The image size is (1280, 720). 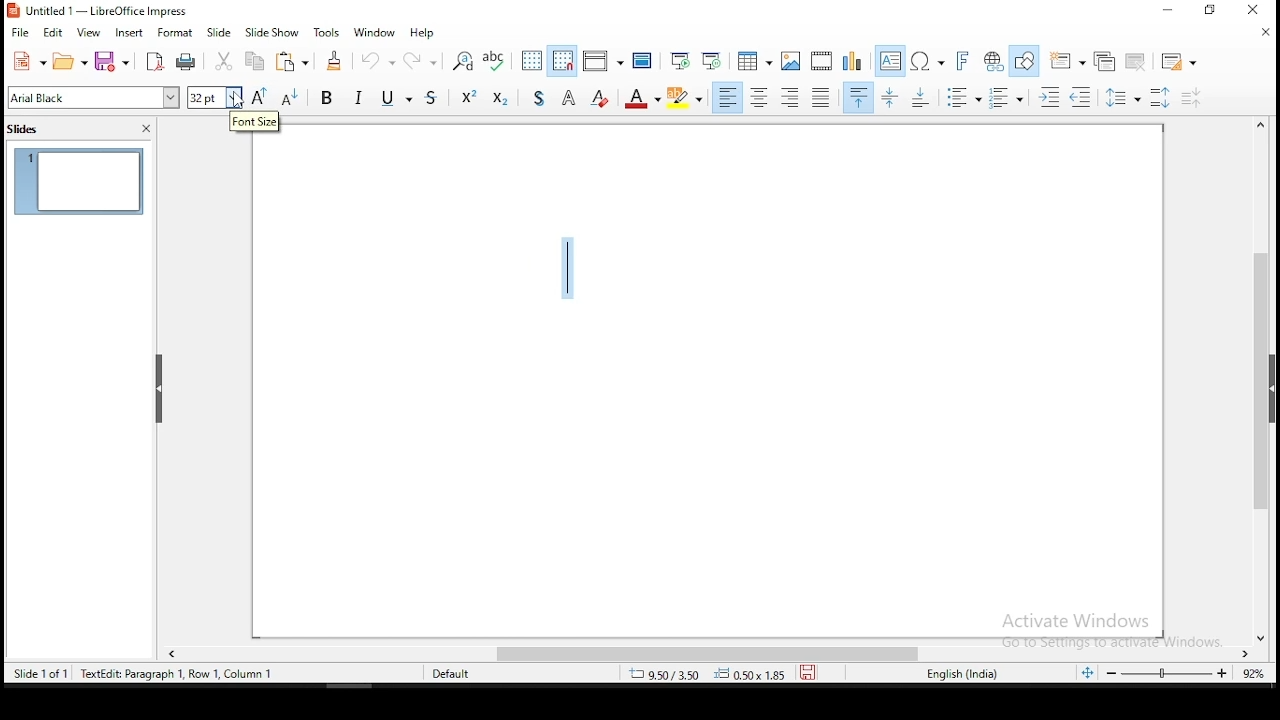 I want to click on Line Spacing, so click(x=1124, y=97).